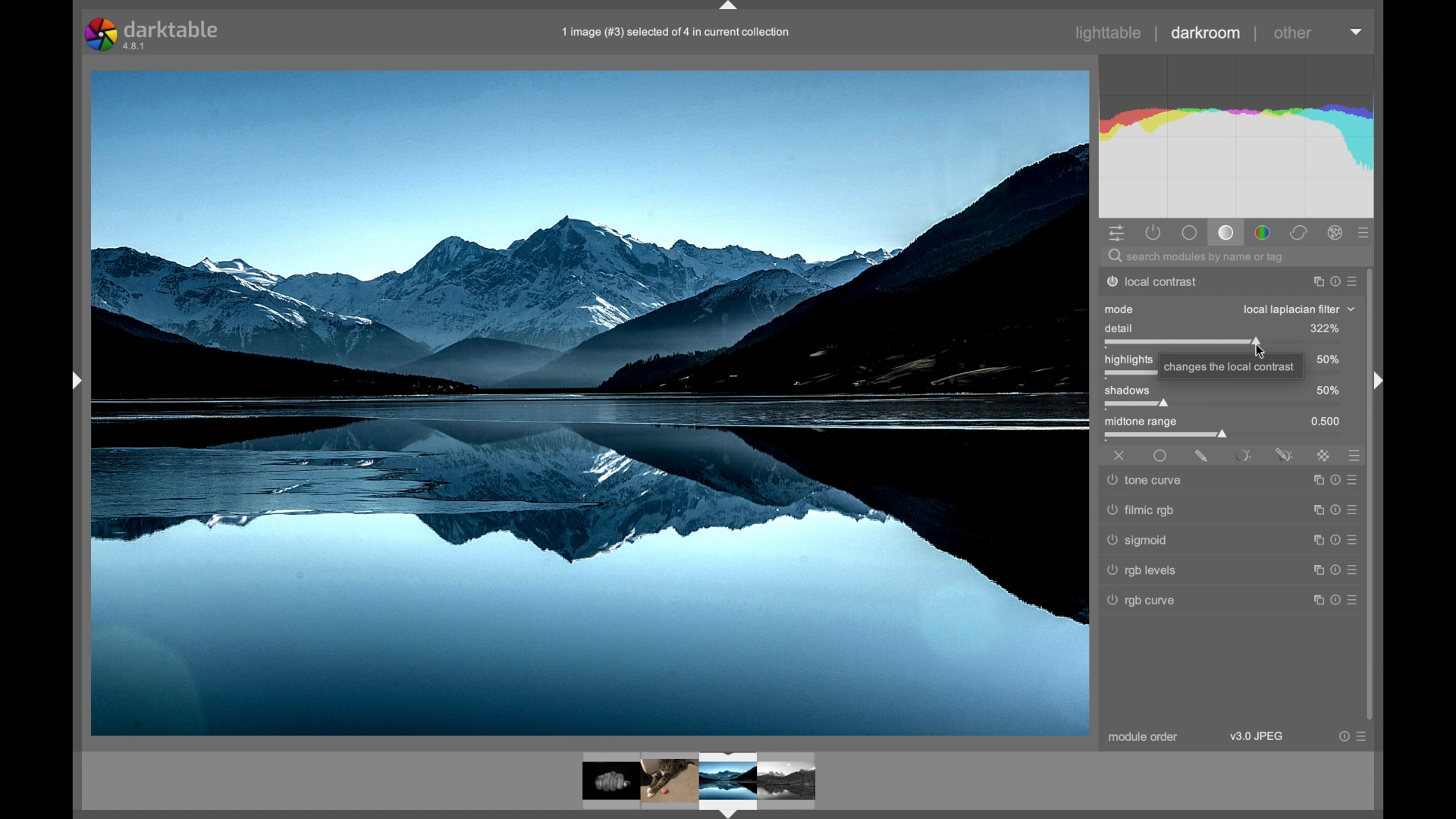  Describe the element at coordinates (1207, 33) in the screenshot. I see `darkroom` at that location.